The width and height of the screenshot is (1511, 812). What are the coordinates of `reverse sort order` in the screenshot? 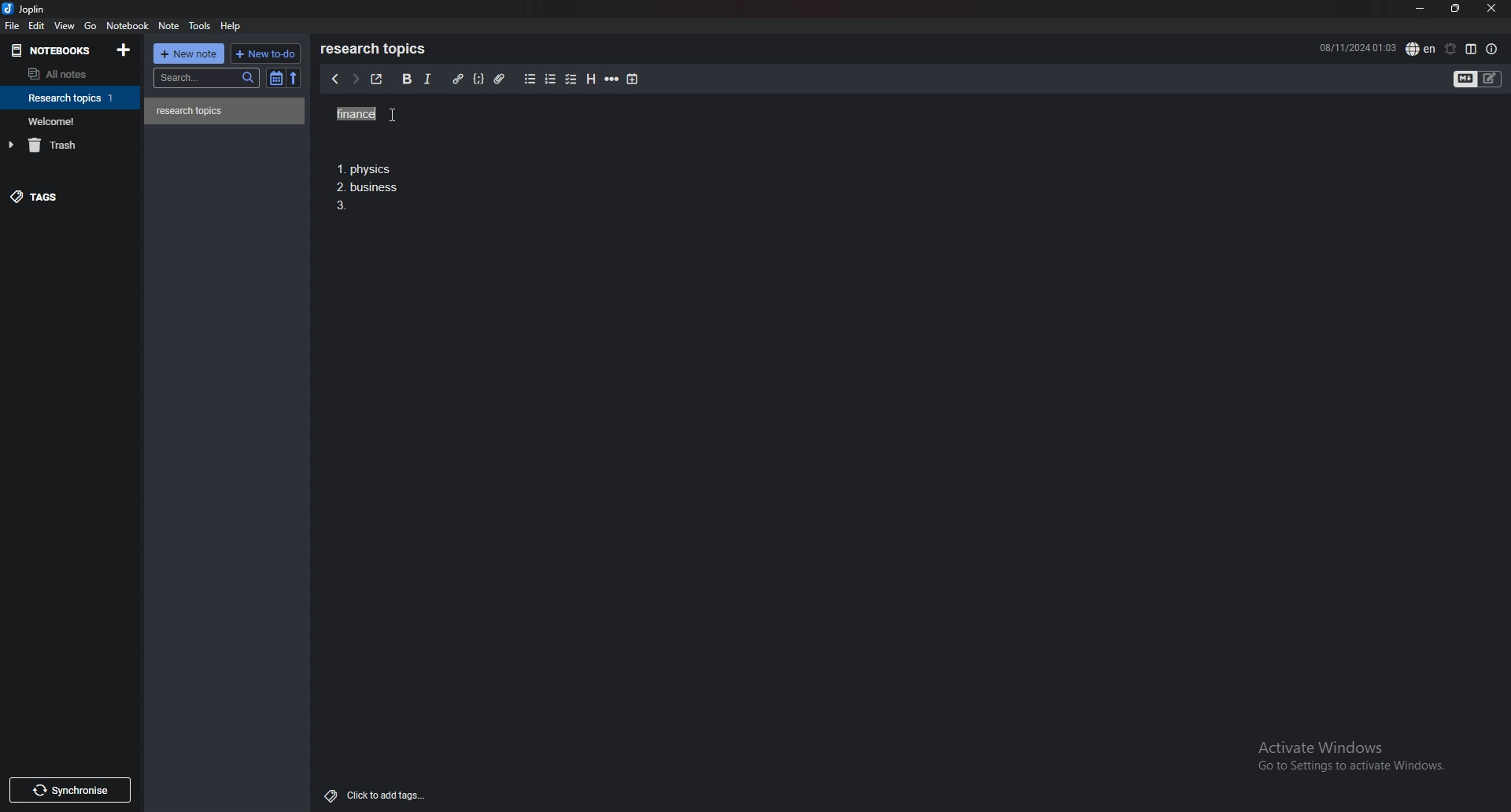 It's located at (293, 78).